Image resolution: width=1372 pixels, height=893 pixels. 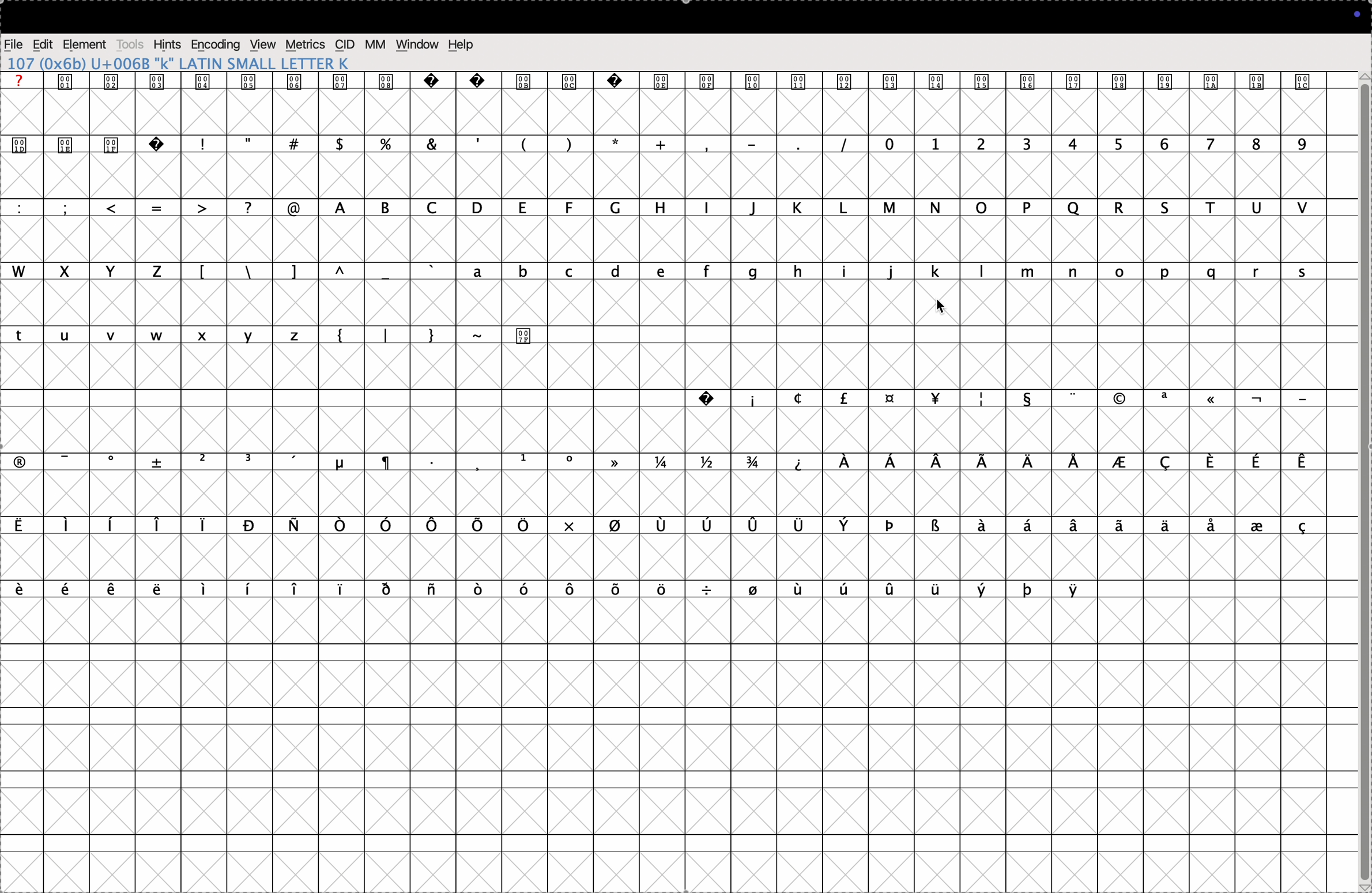 What do you see at coordinates (161, 335) in the screenshot?
I see `w` at bounding box center [161, 335].